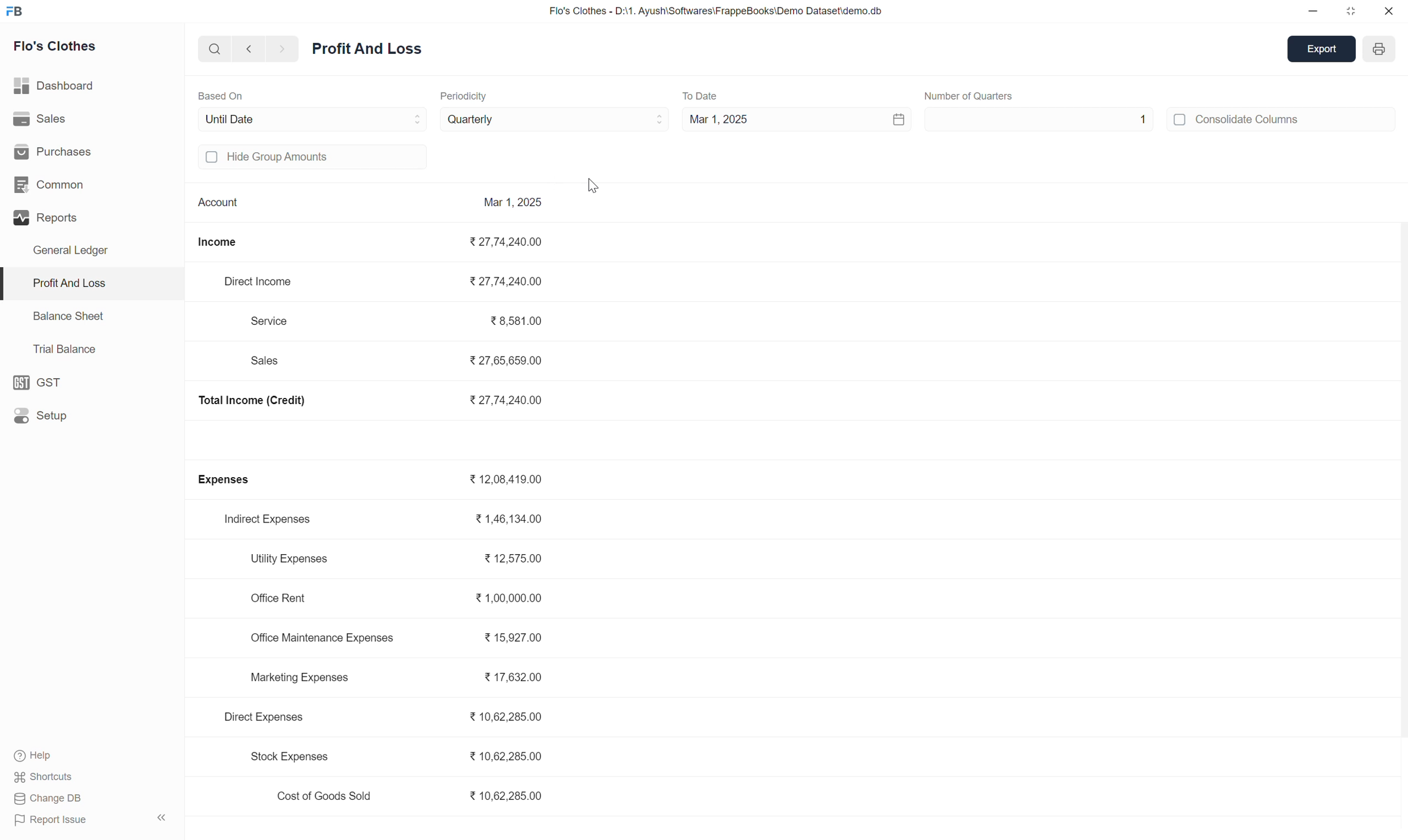 The image size is (1408, 840). What do you see at coordinates (57, 49) in the screenshot?
I see `Flo's Clothes` at bounding box center [57, 49].